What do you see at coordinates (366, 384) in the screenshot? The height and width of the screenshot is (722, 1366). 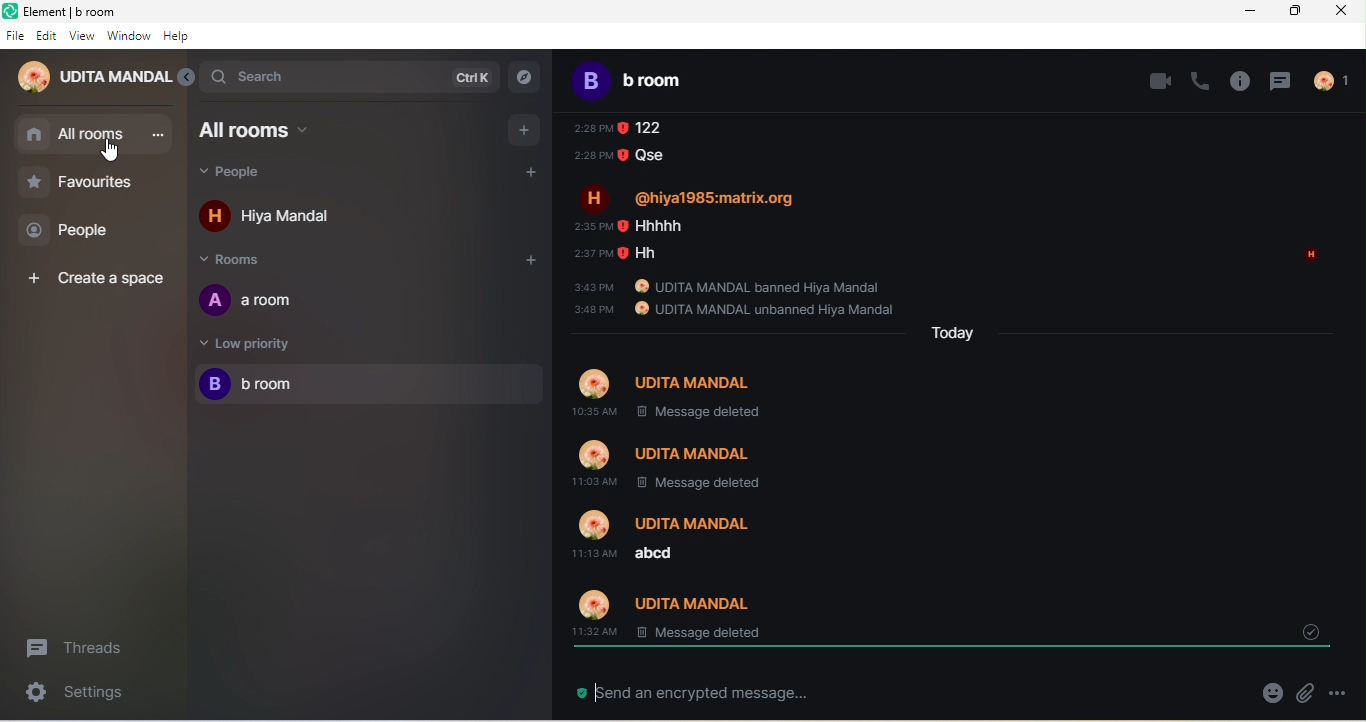 I see `b room` at bounding box center [366, 384].